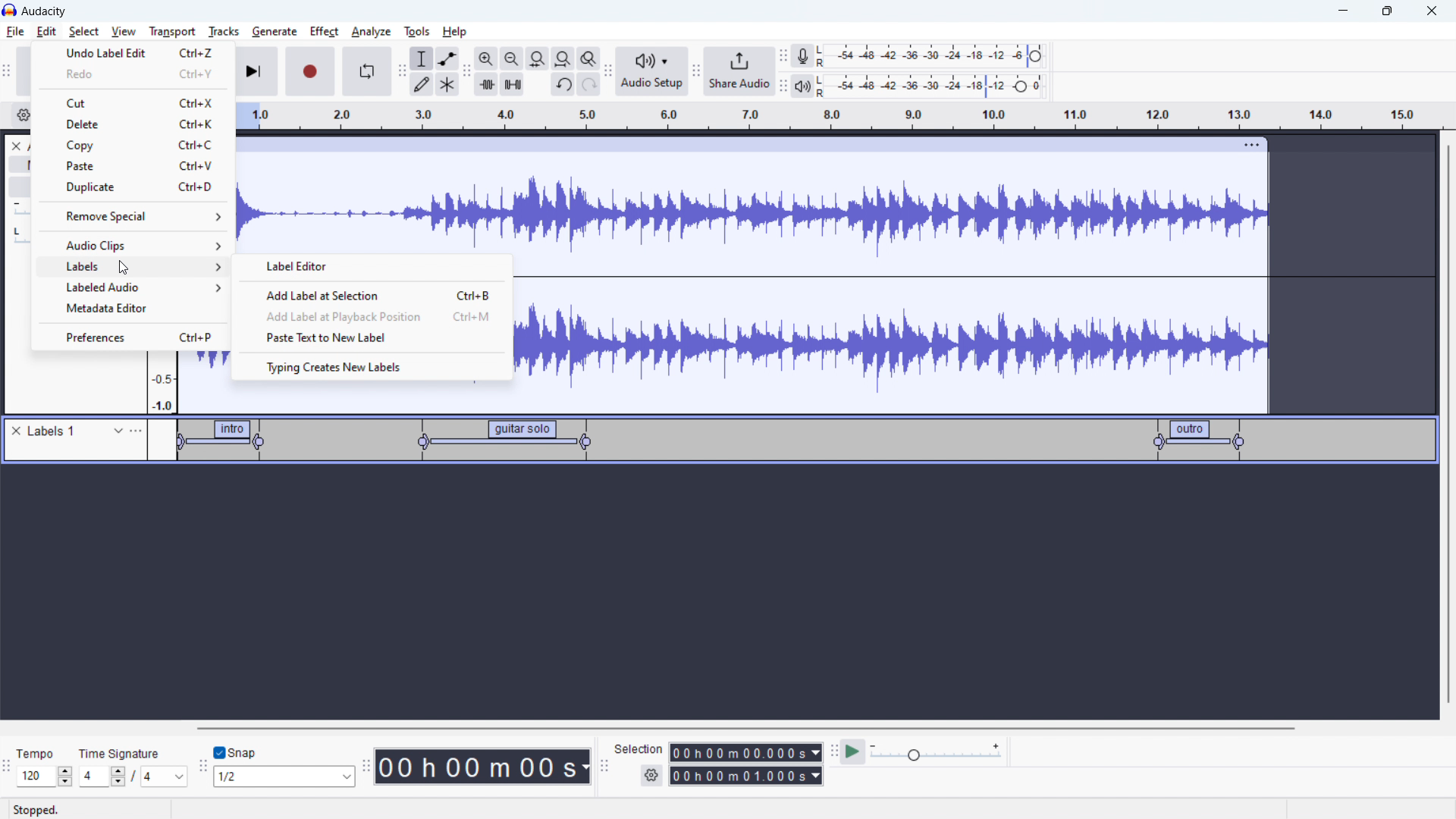  Describe the element at coordinates (893, 335) in the screenshot. I see `audio waveform` at that location.